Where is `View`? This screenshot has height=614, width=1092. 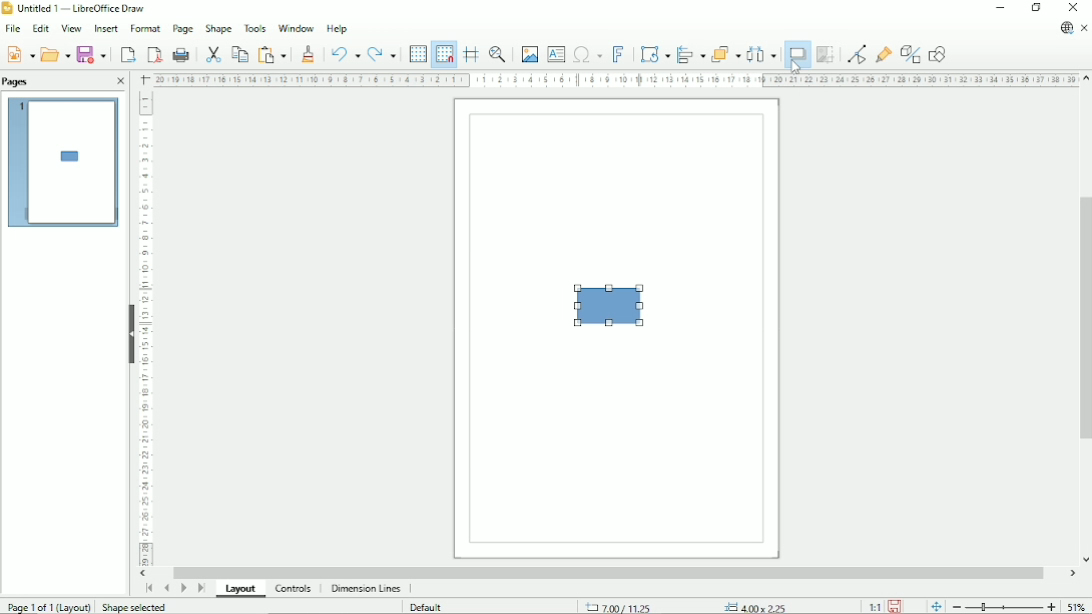
View is located at coordinates (70, 26).